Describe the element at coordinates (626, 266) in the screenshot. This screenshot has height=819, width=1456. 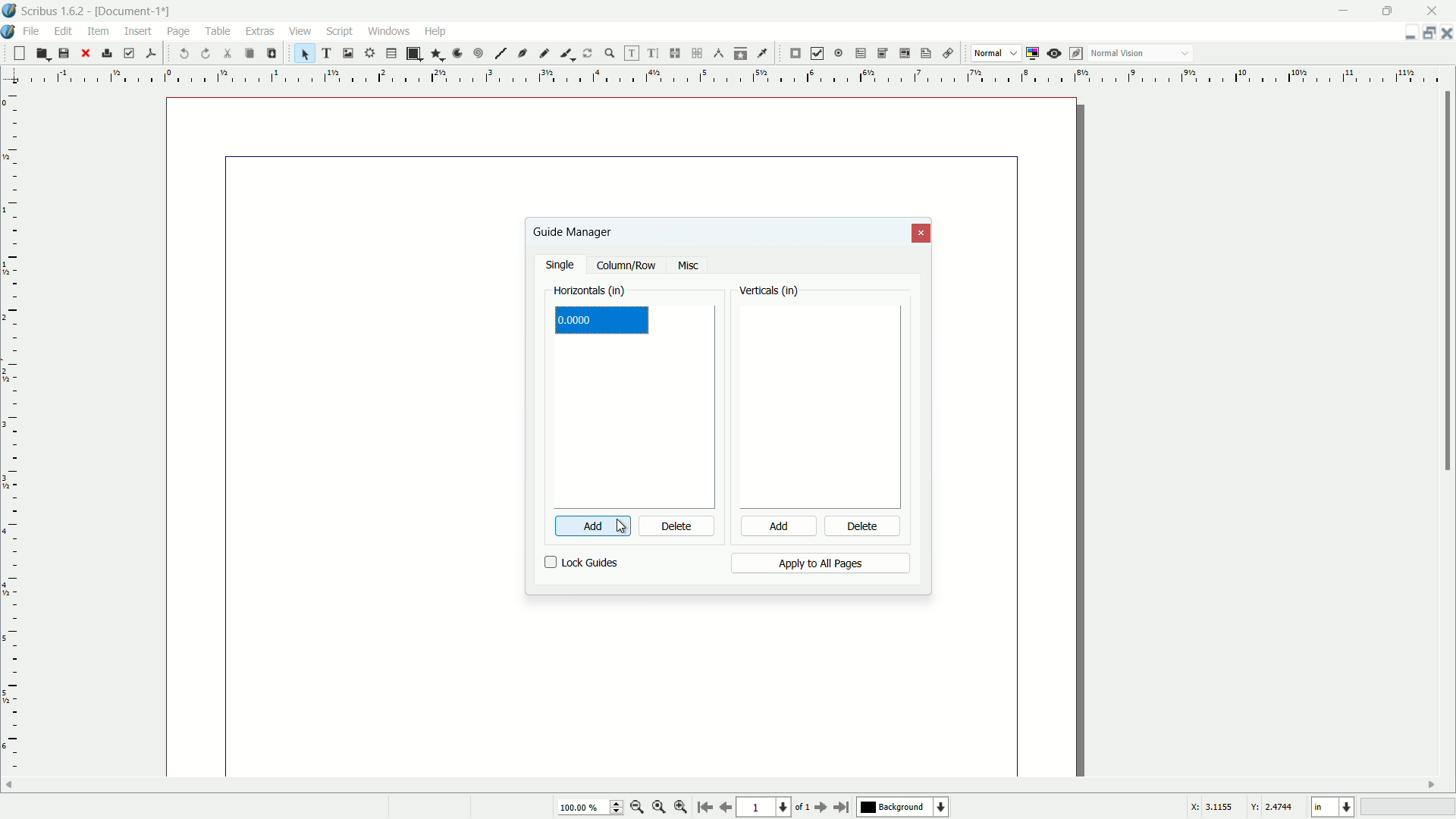
I see `column/row` at that location.